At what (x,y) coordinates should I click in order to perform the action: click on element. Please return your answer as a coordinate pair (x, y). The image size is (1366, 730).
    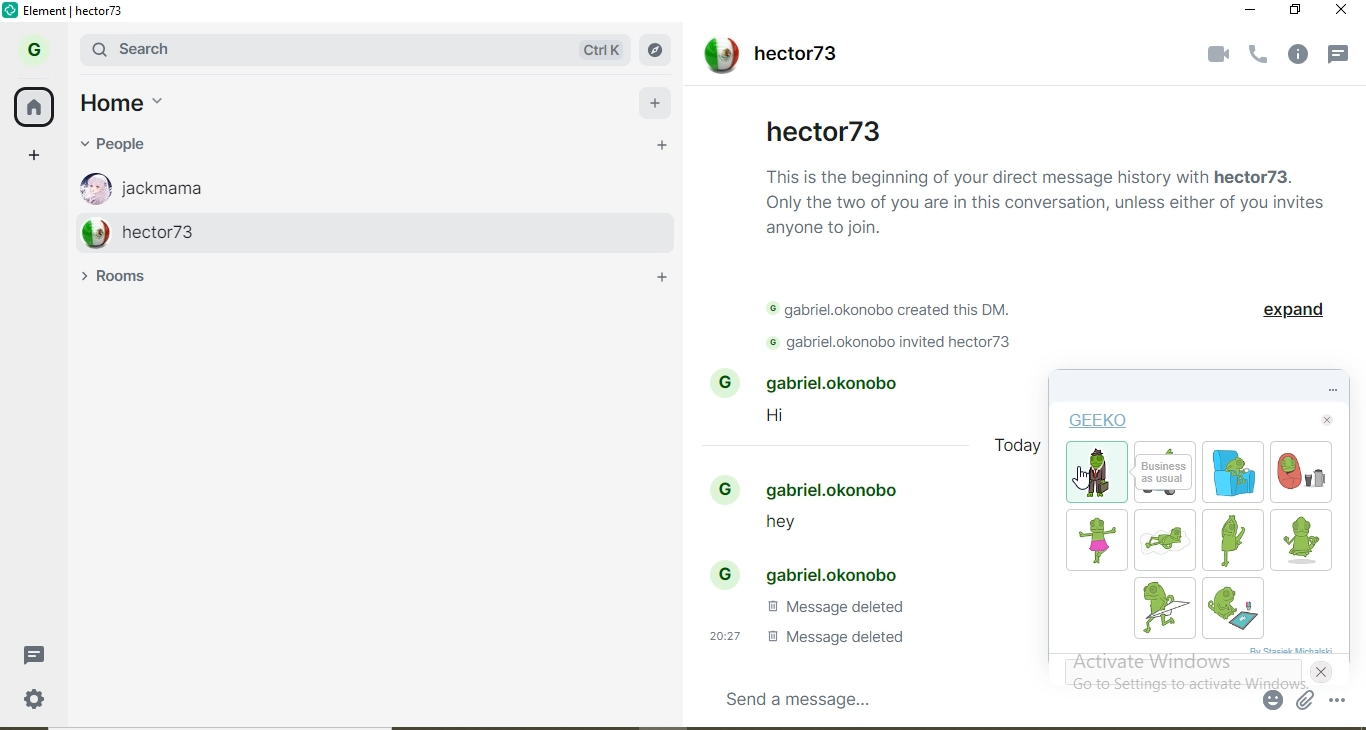
    Looking at the image, I should click on (74, 11).